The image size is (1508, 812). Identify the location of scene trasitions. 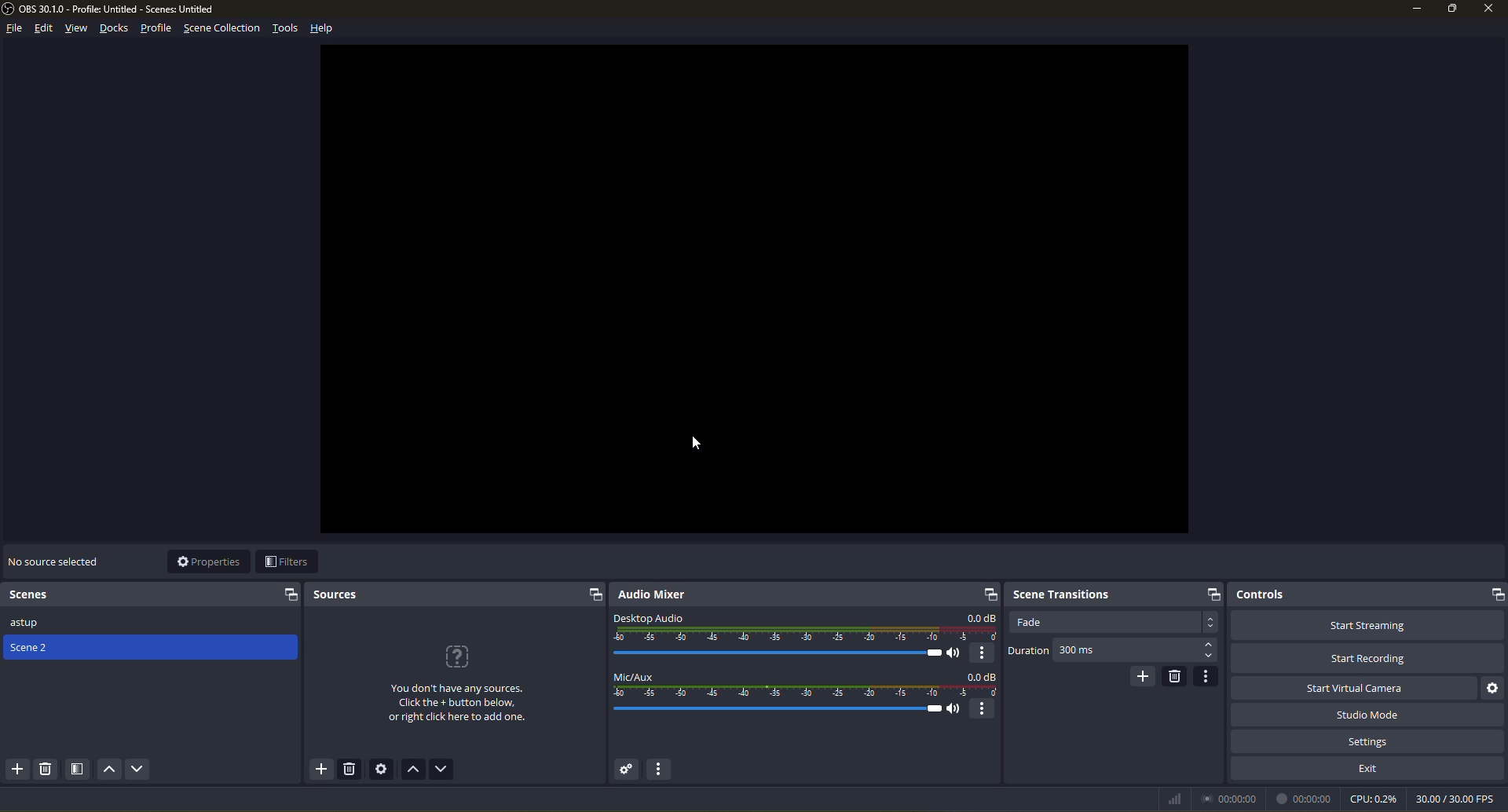
(1060, 594).